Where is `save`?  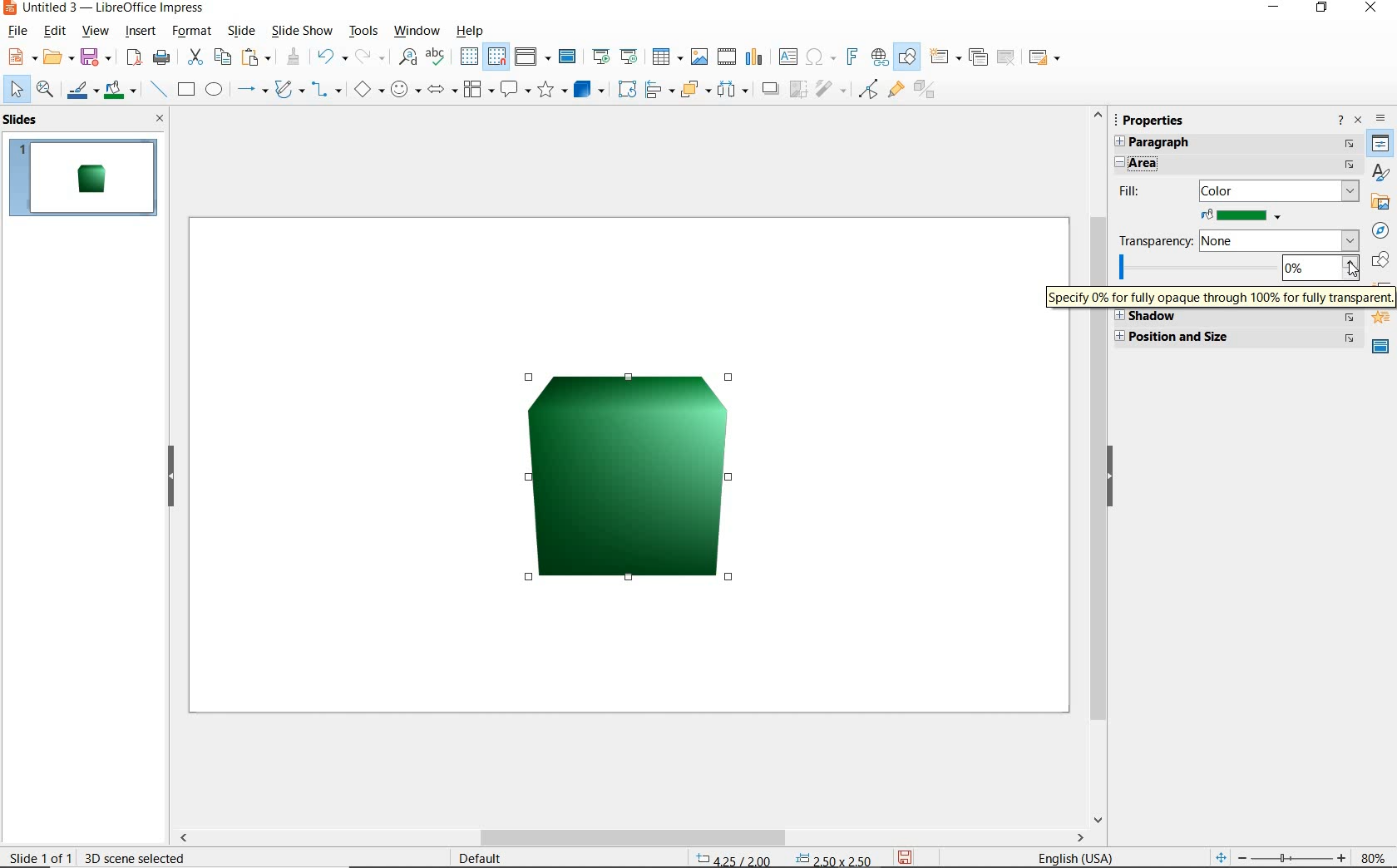
save is located at coordinates (95, 59).